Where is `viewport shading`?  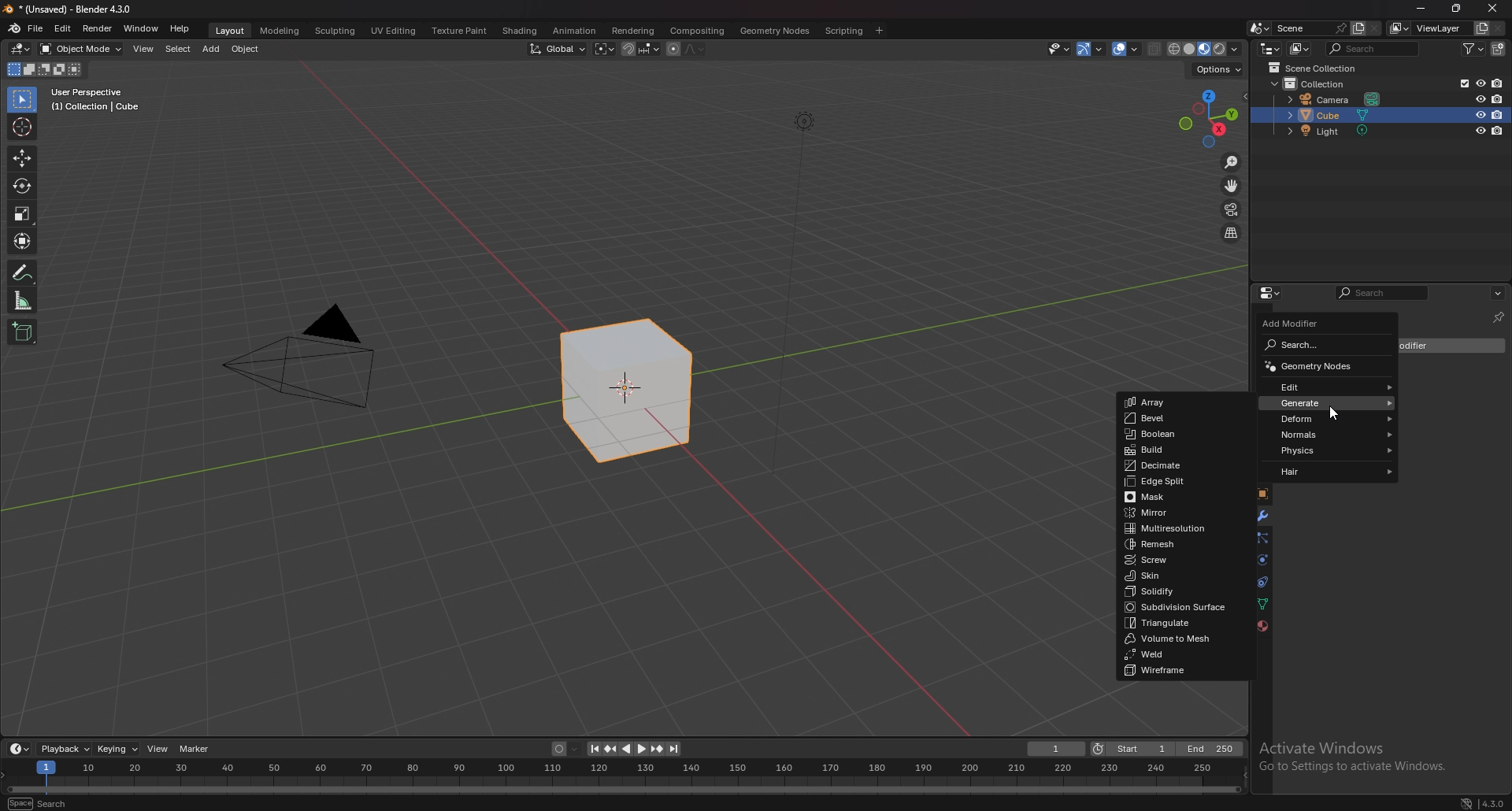 viewport shading is located at coordinates (1205, 48).